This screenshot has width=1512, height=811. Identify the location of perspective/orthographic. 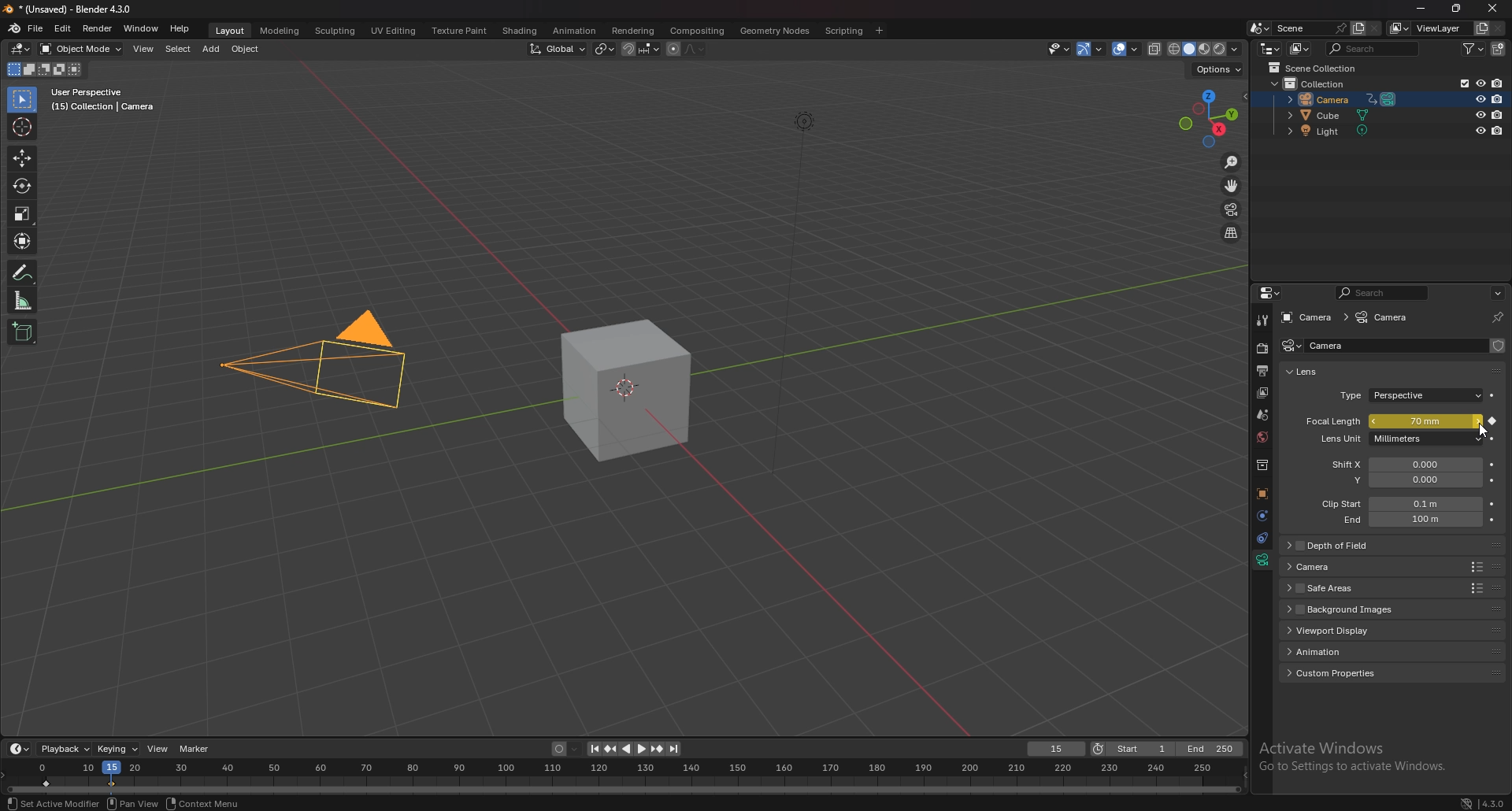
(1232, 233).